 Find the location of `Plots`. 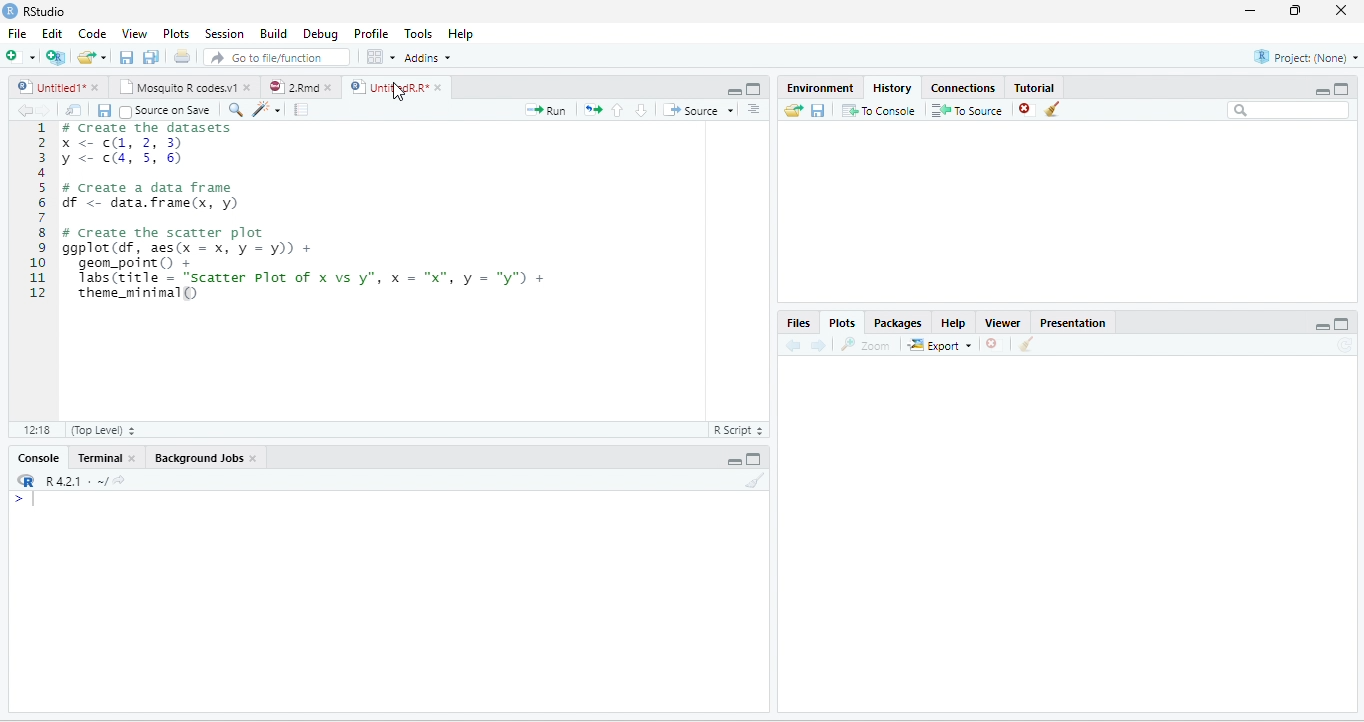

Plots is located at coordinates (842, 321).